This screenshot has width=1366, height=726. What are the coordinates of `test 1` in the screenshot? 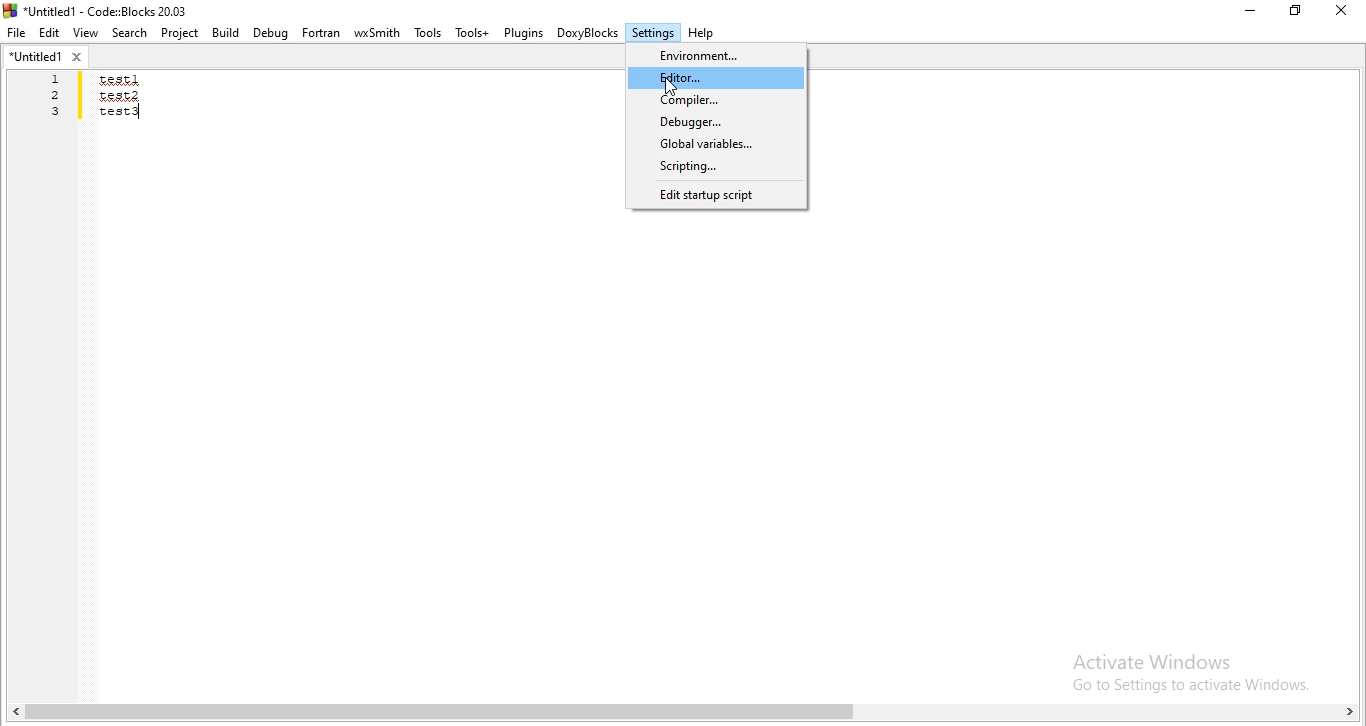 It's located at (118, 81).